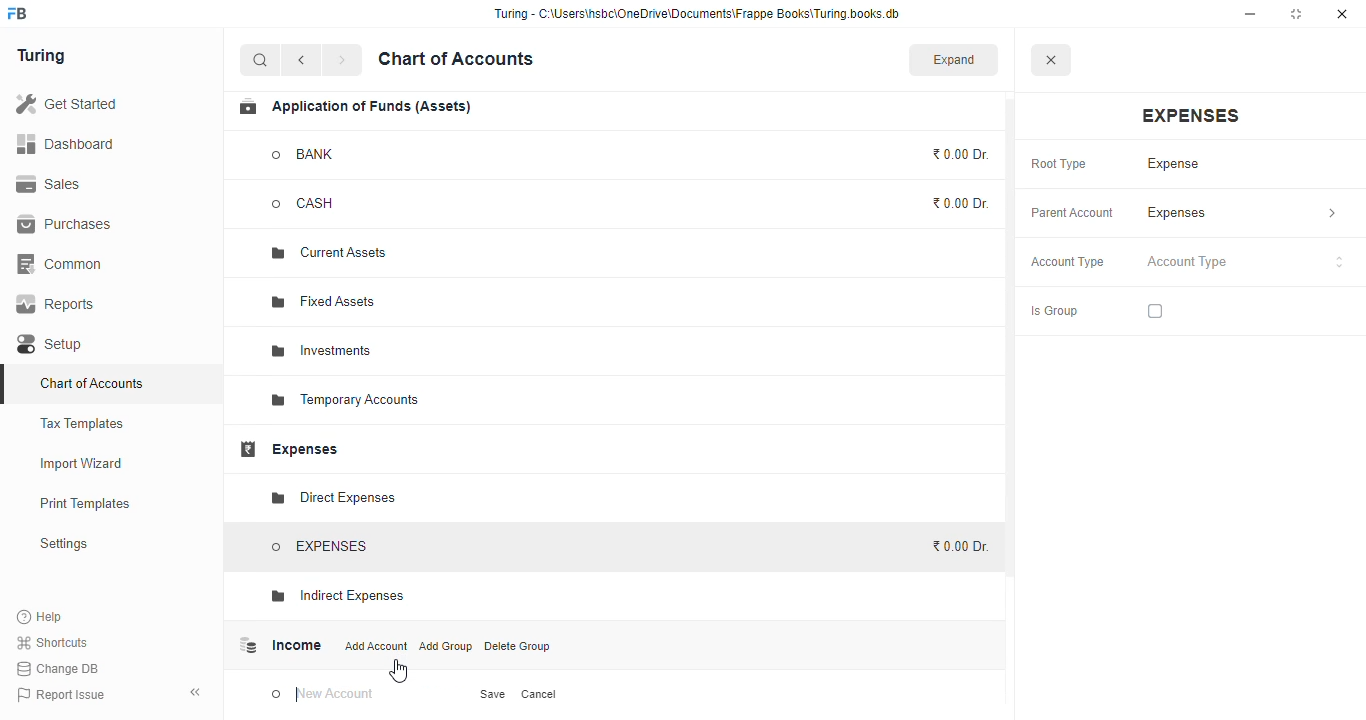 The height and width of the screenshot is (720, 1366). I want to click on close, so click(1050, 59).